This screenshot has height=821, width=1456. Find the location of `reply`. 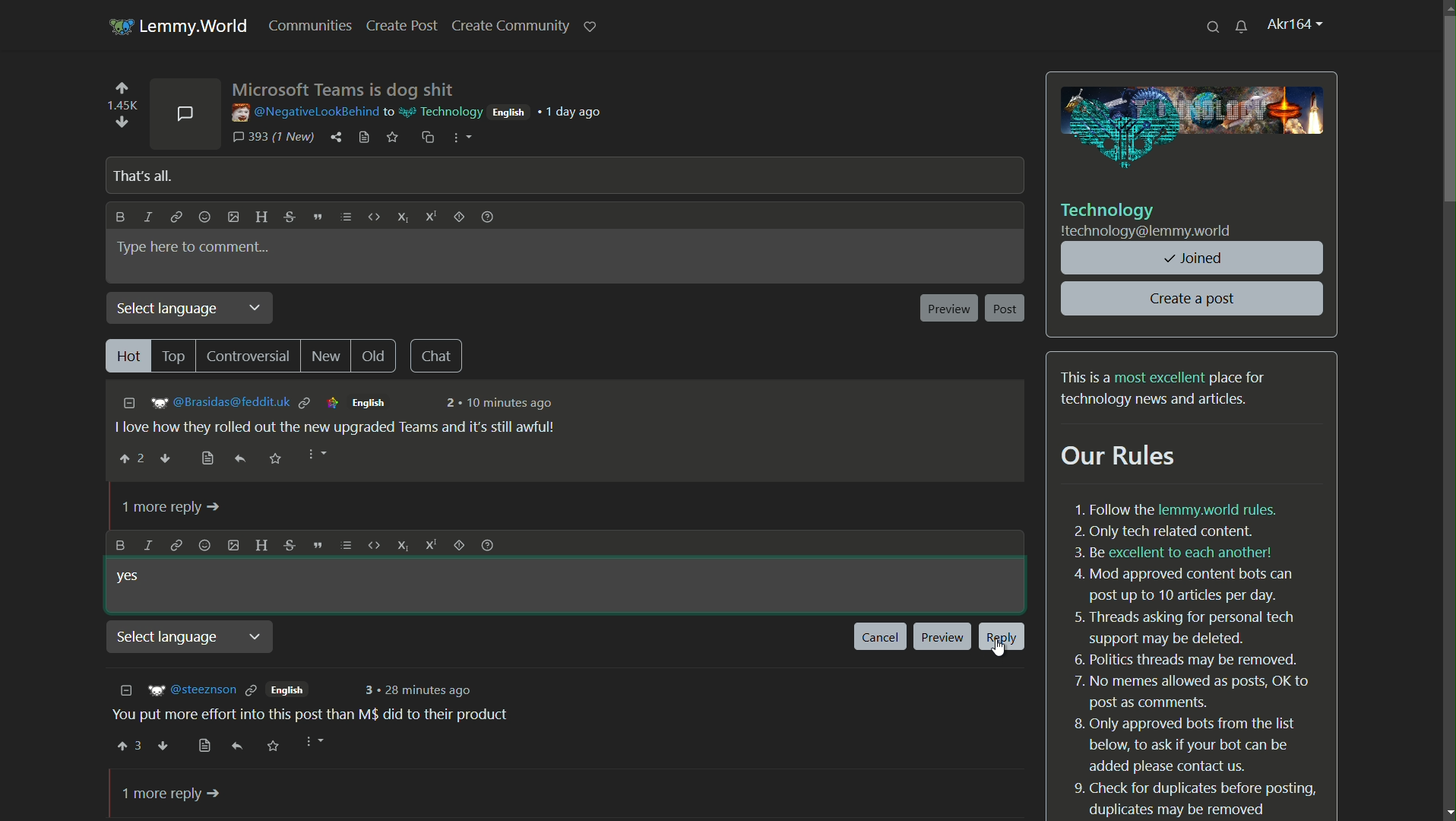

reply is located at coordinates (240, 458).